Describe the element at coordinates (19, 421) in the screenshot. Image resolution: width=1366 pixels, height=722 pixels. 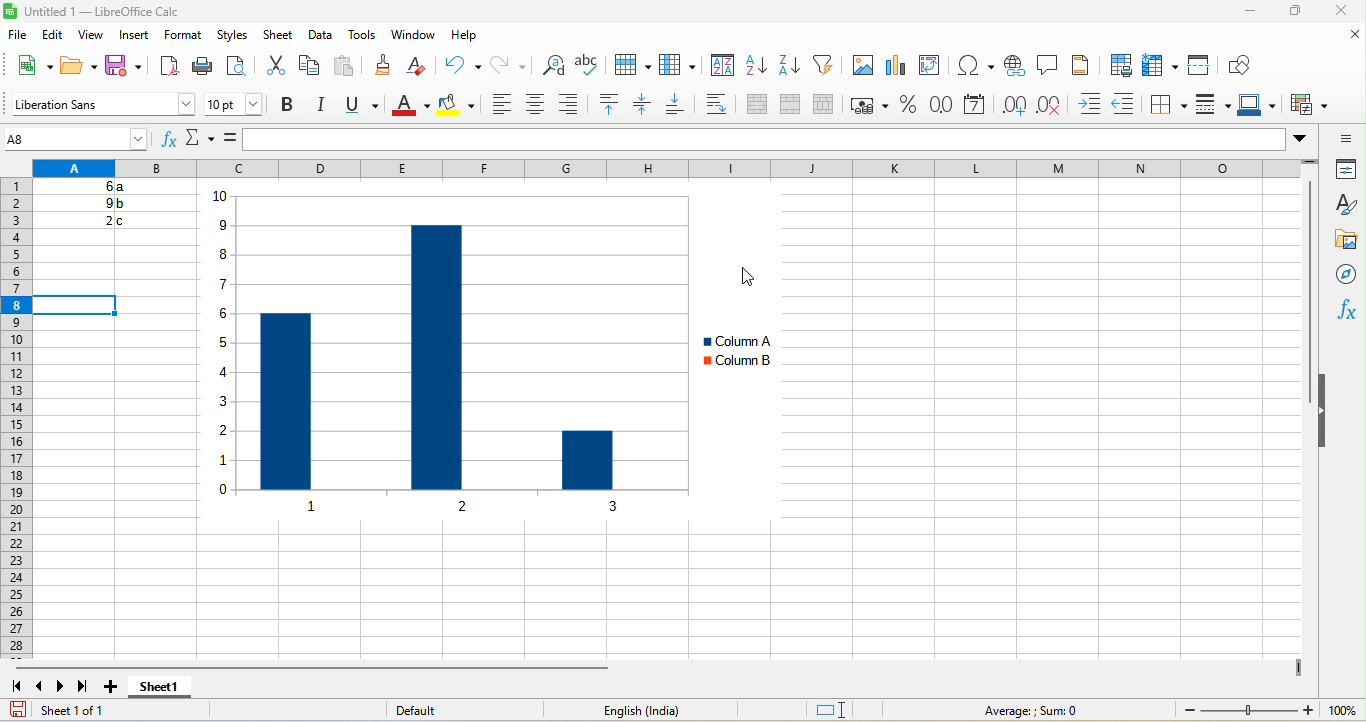
I see `rows` at that location.